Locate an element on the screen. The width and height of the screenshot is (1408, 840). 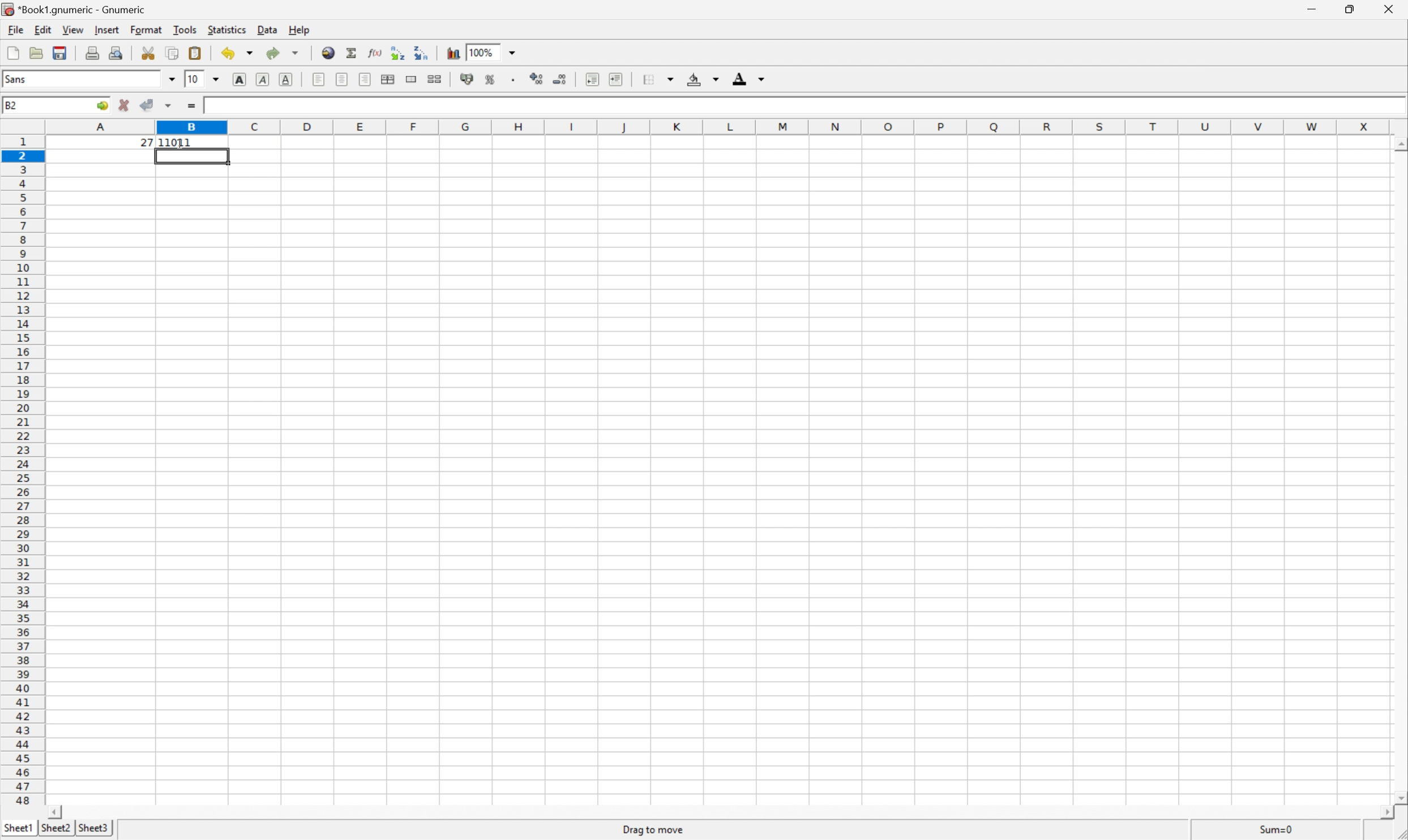
Row Number is located at coordinates (22, 470).